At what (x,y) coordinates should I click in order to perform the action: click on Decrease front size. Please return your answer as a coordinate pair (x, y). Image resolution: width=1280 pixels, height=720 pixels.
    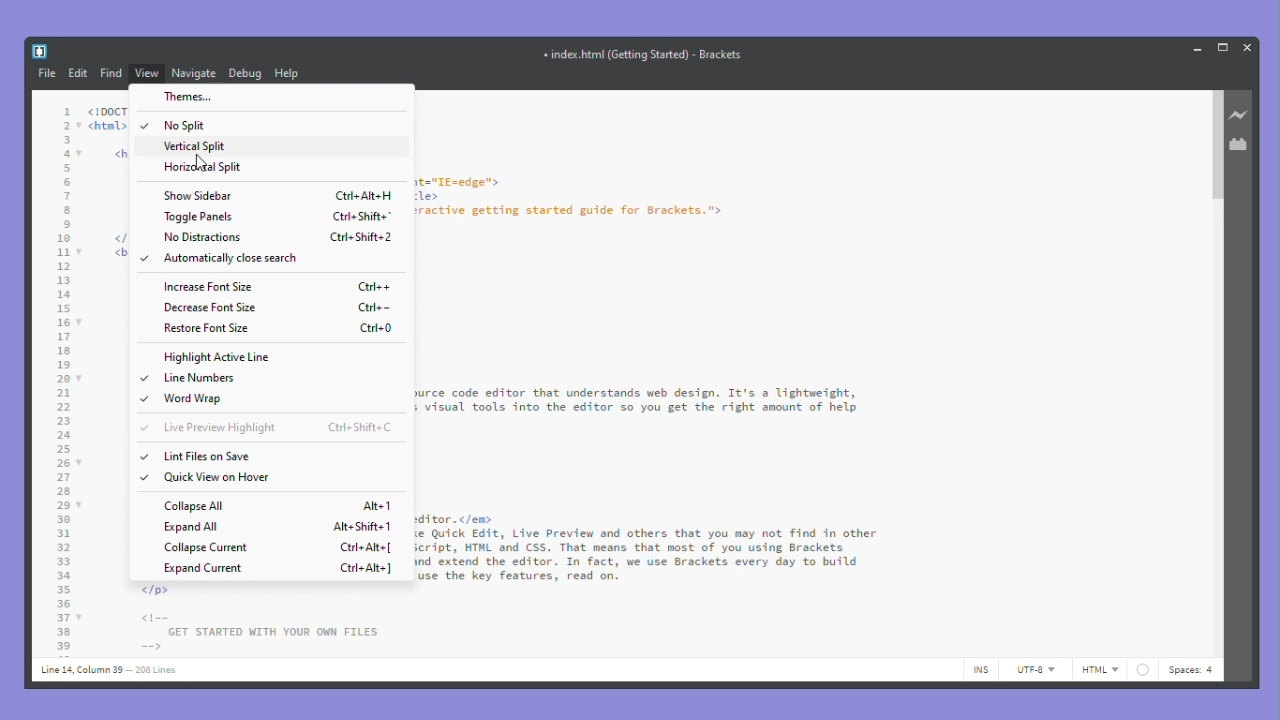
    Looking at the image, I should click on (277, 309).